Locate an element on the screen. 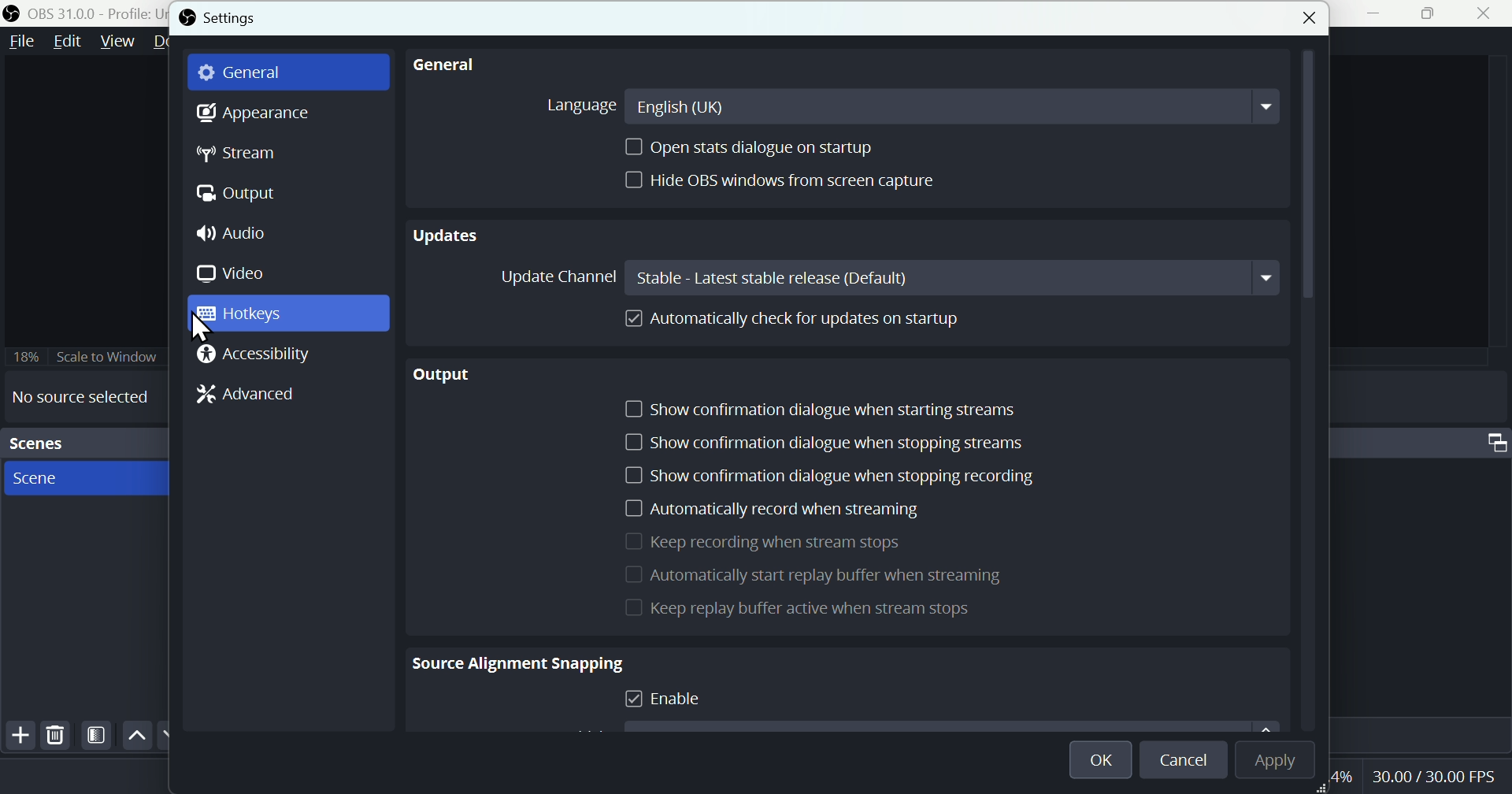  scroll bar is located at coordinates (1313, 187).